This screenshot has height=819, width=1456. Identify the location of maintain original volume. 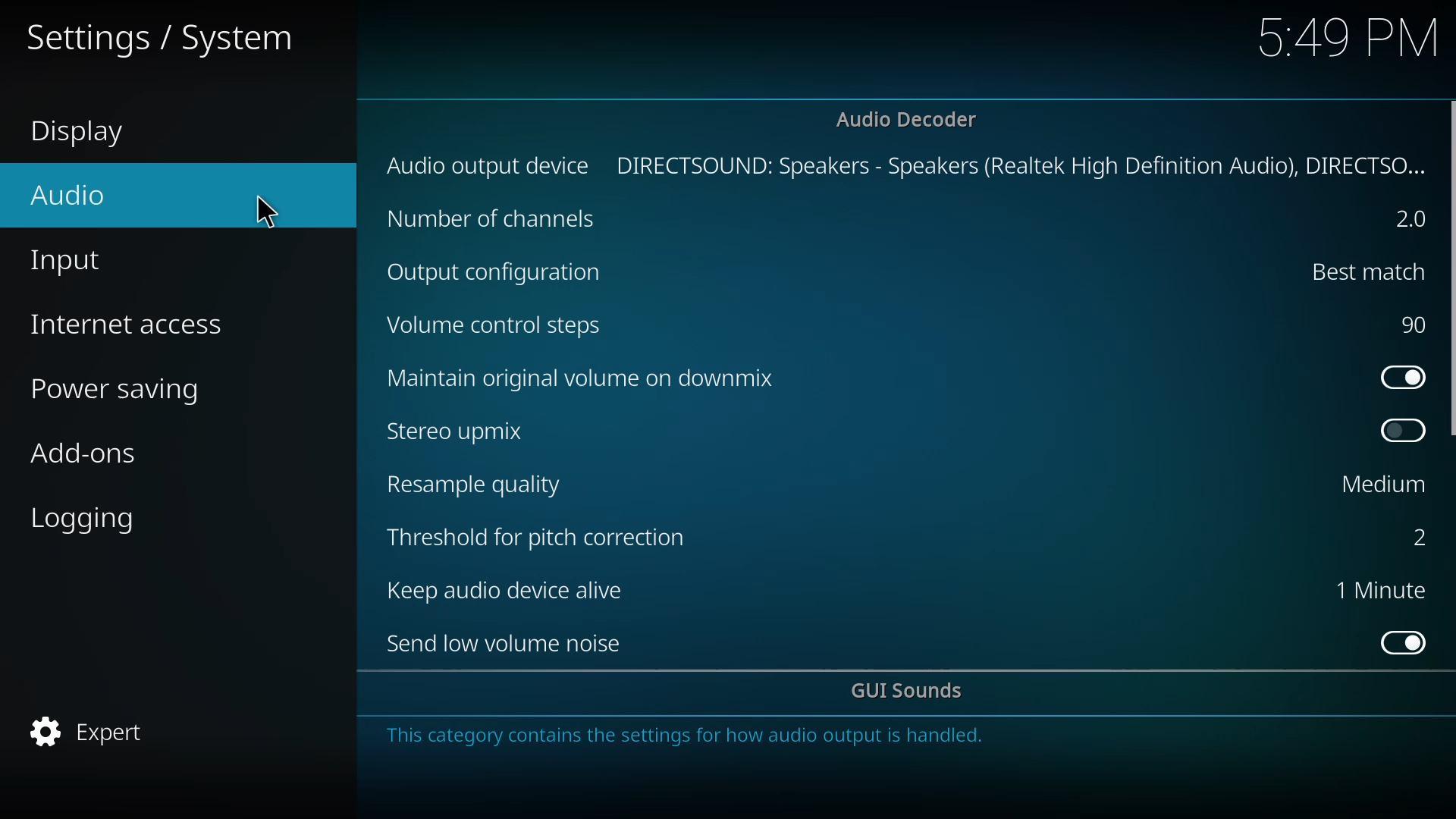
(588, 378).